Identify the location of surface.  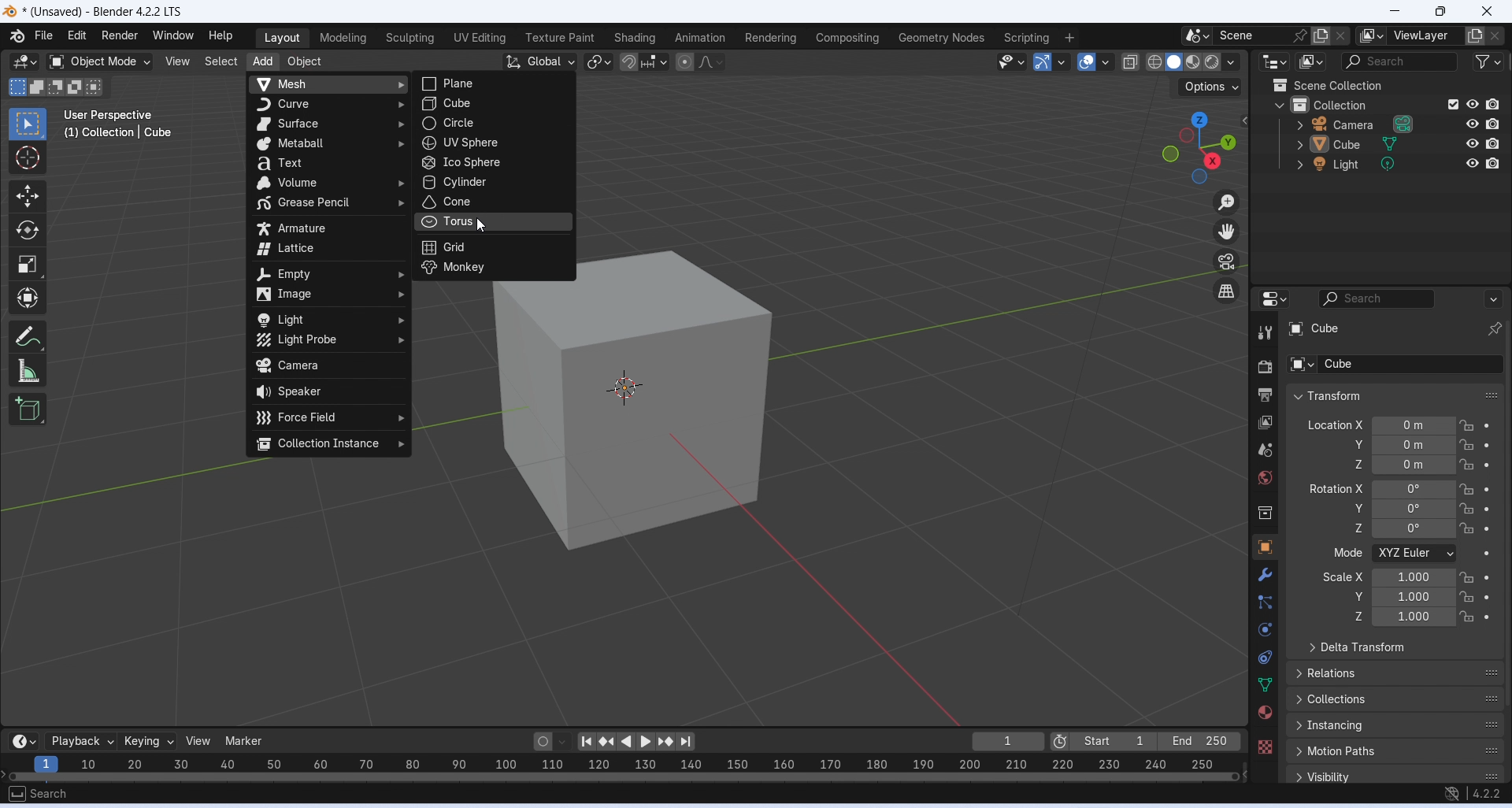
(327, 125).